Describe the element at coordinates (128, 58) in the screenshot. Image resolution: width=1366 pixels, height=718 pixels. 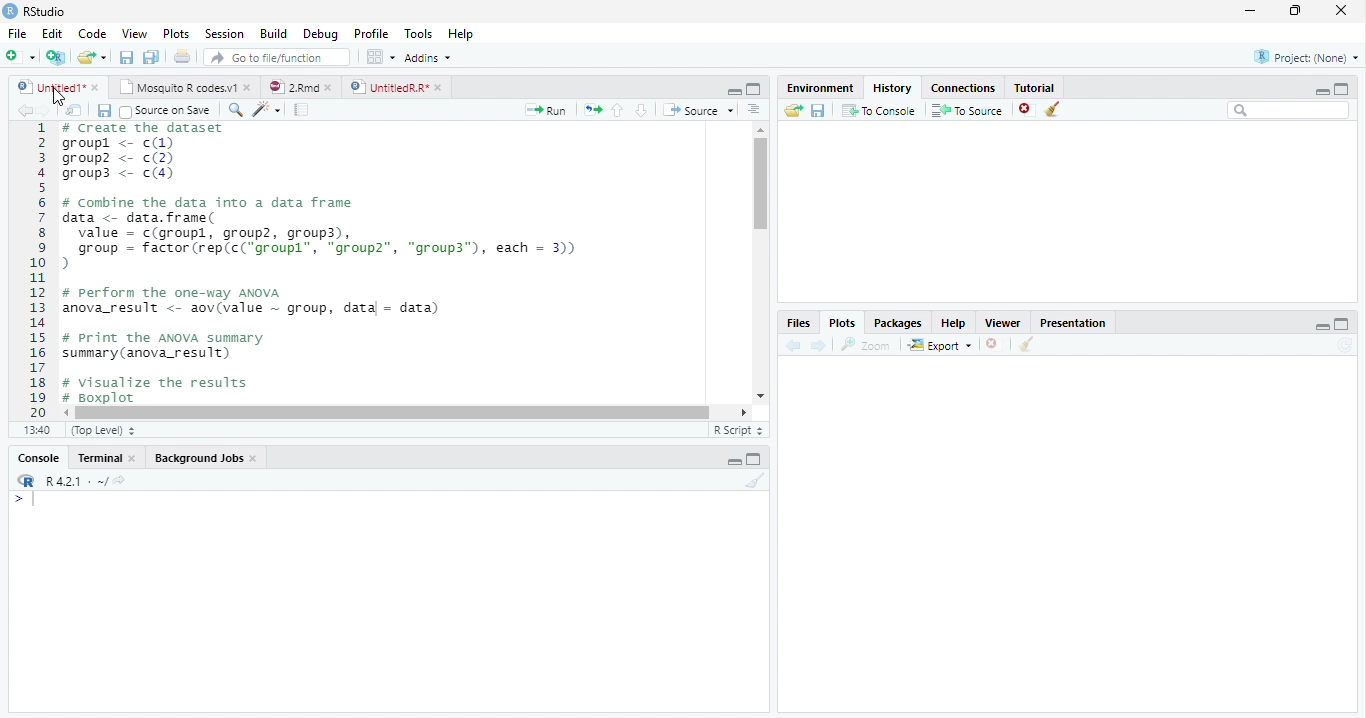
I see `Save` at that location.